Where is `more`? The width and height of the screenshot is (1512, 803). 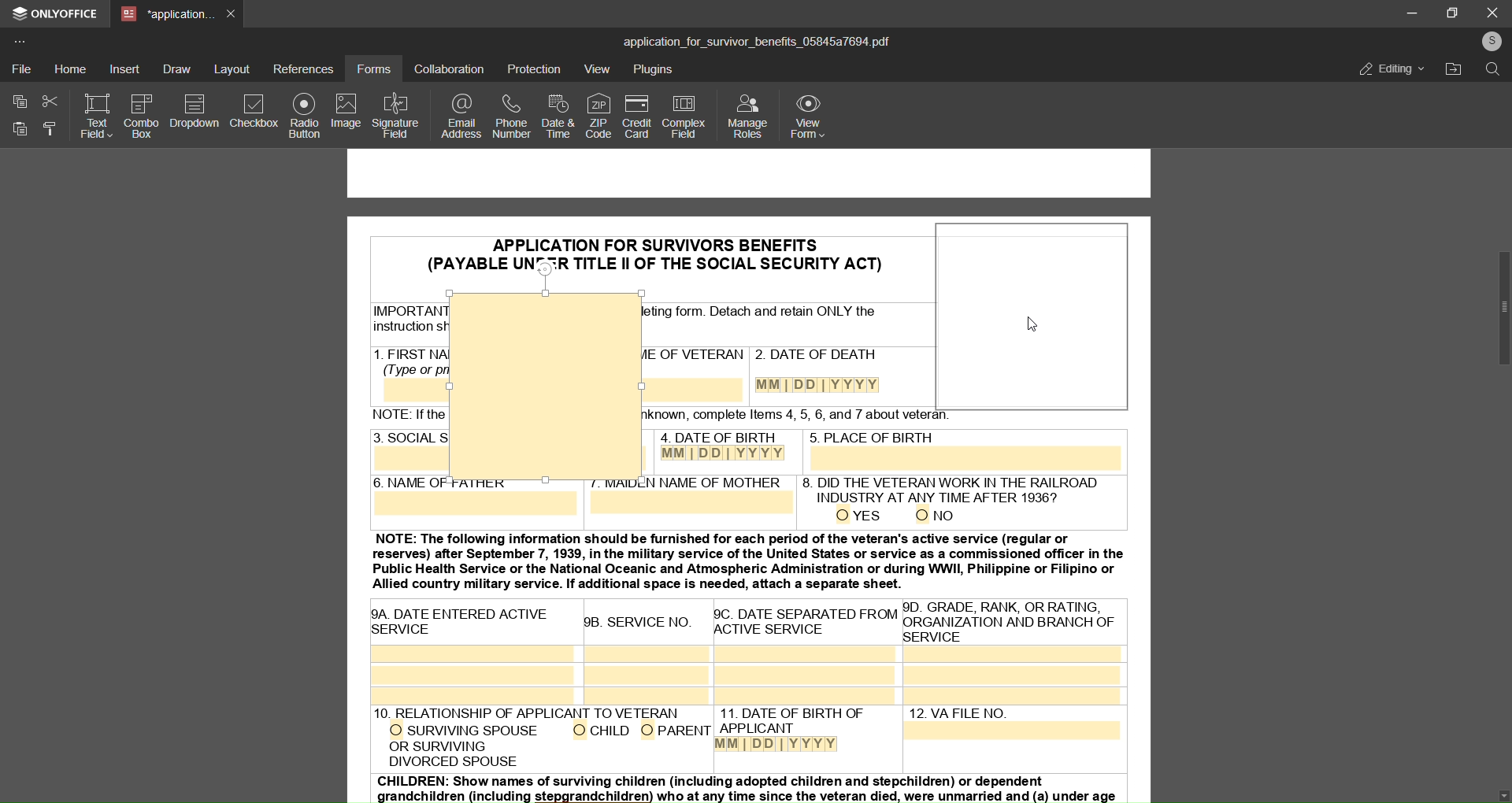
more is located at coordinates (23, 40).